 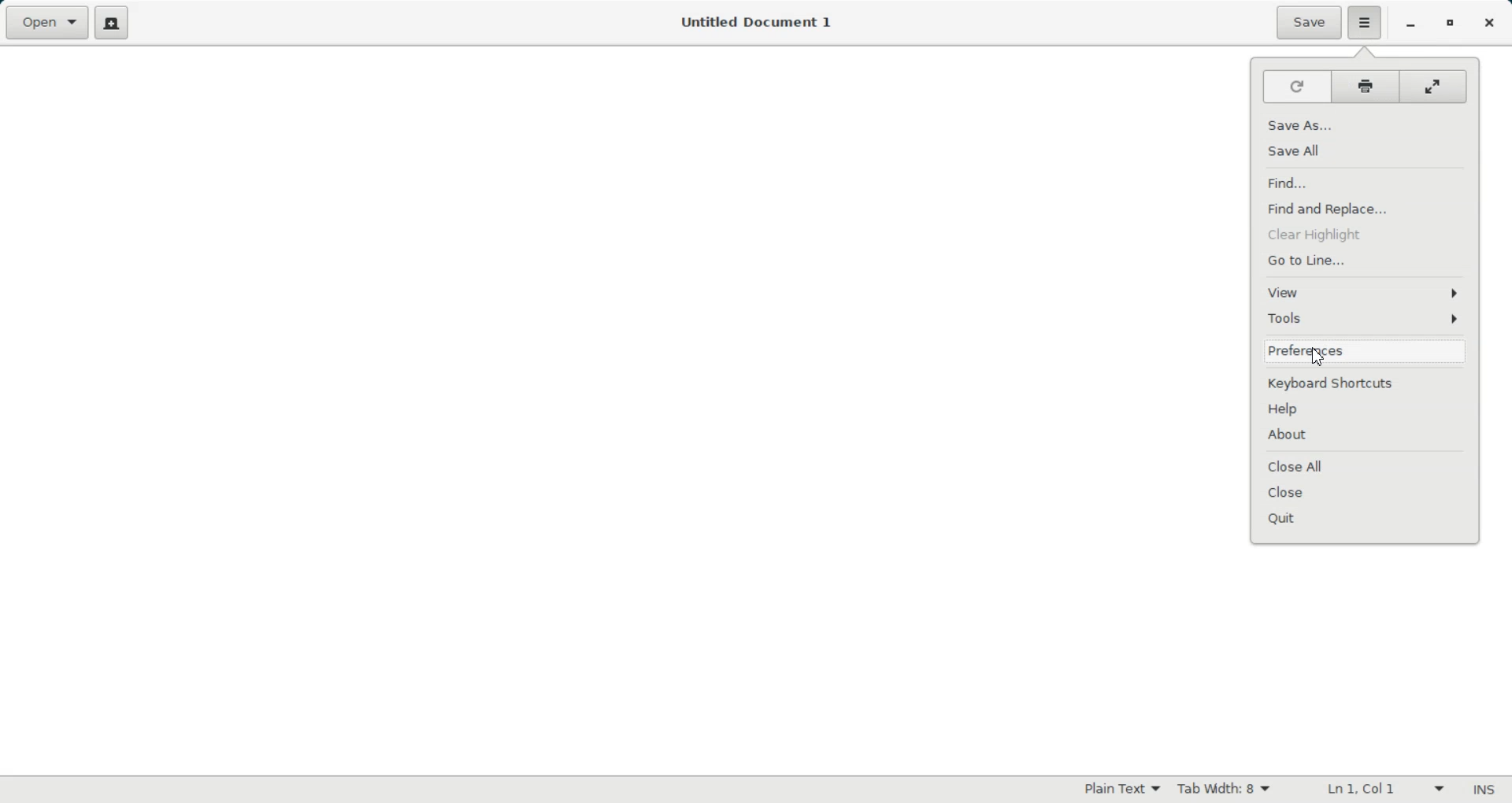 I want to click on Close All, so click(x=1365, y=465).